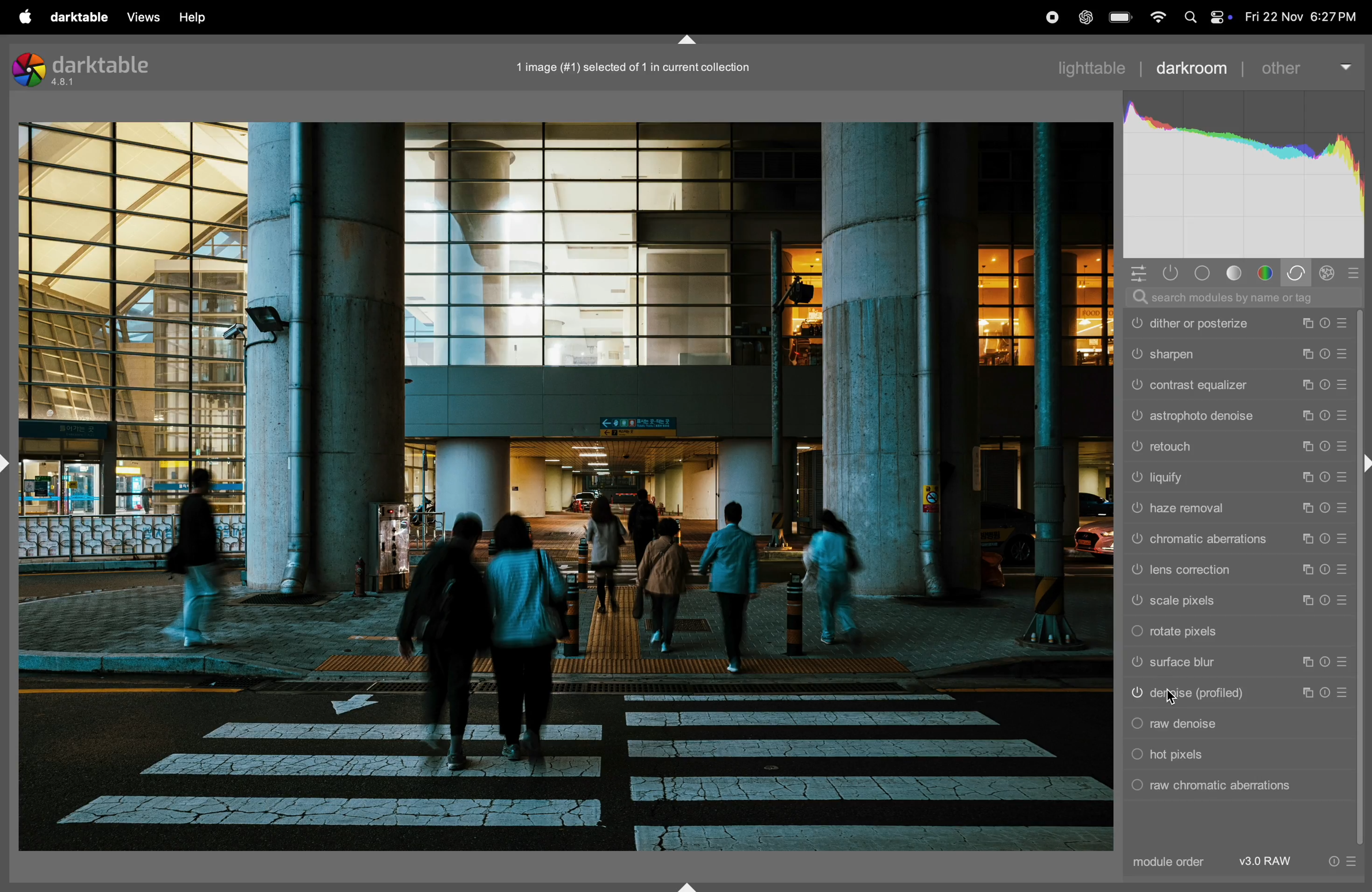 Image resolution: width=1372 pixels, height=892 pixels. Describe the element at coordinates (1362, 579) in the screenshot. I see `vertical scroll bar` at that location.